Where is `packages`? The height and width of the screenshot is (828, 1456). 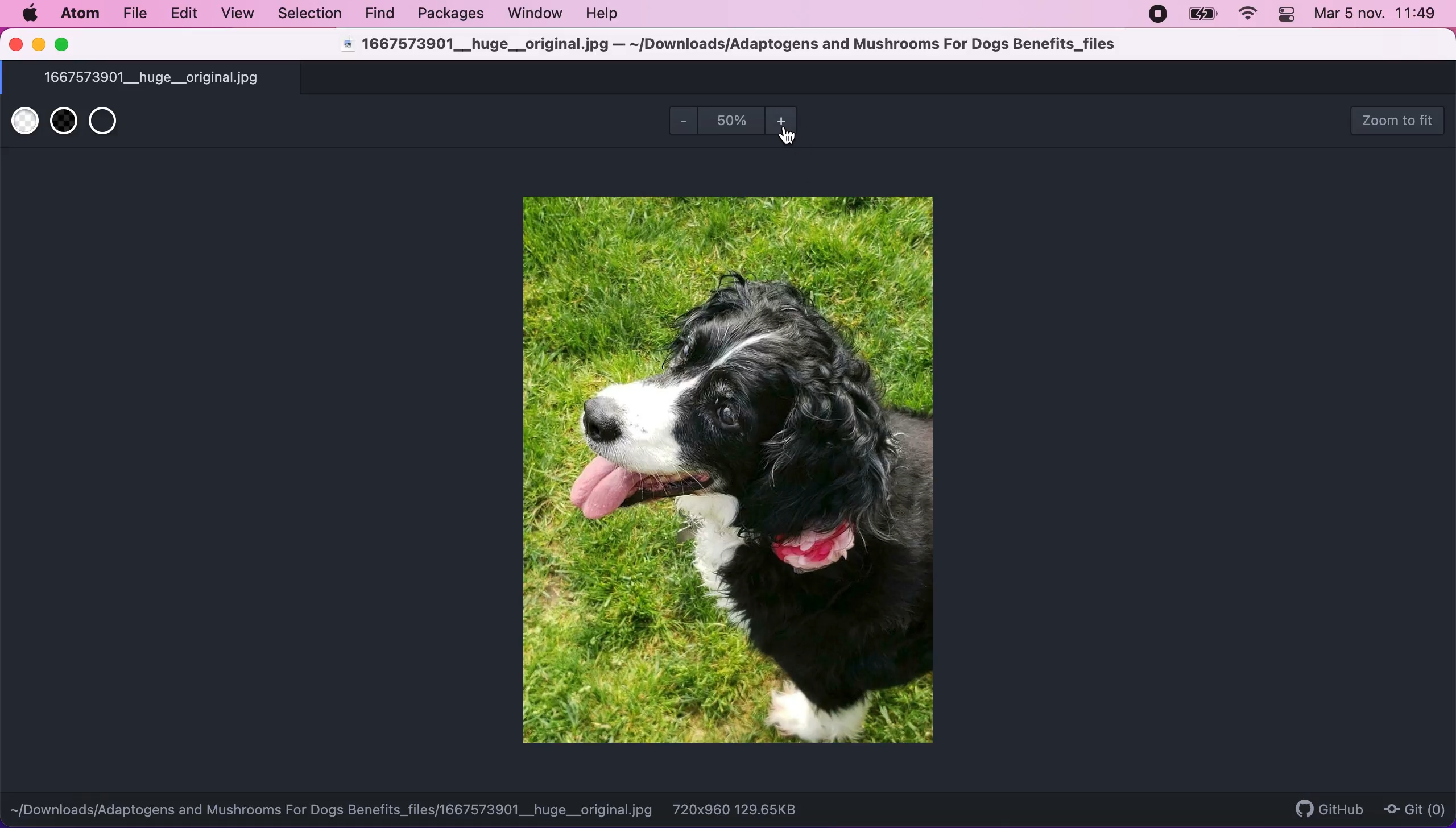
packages is located at coordinates (452, 14).